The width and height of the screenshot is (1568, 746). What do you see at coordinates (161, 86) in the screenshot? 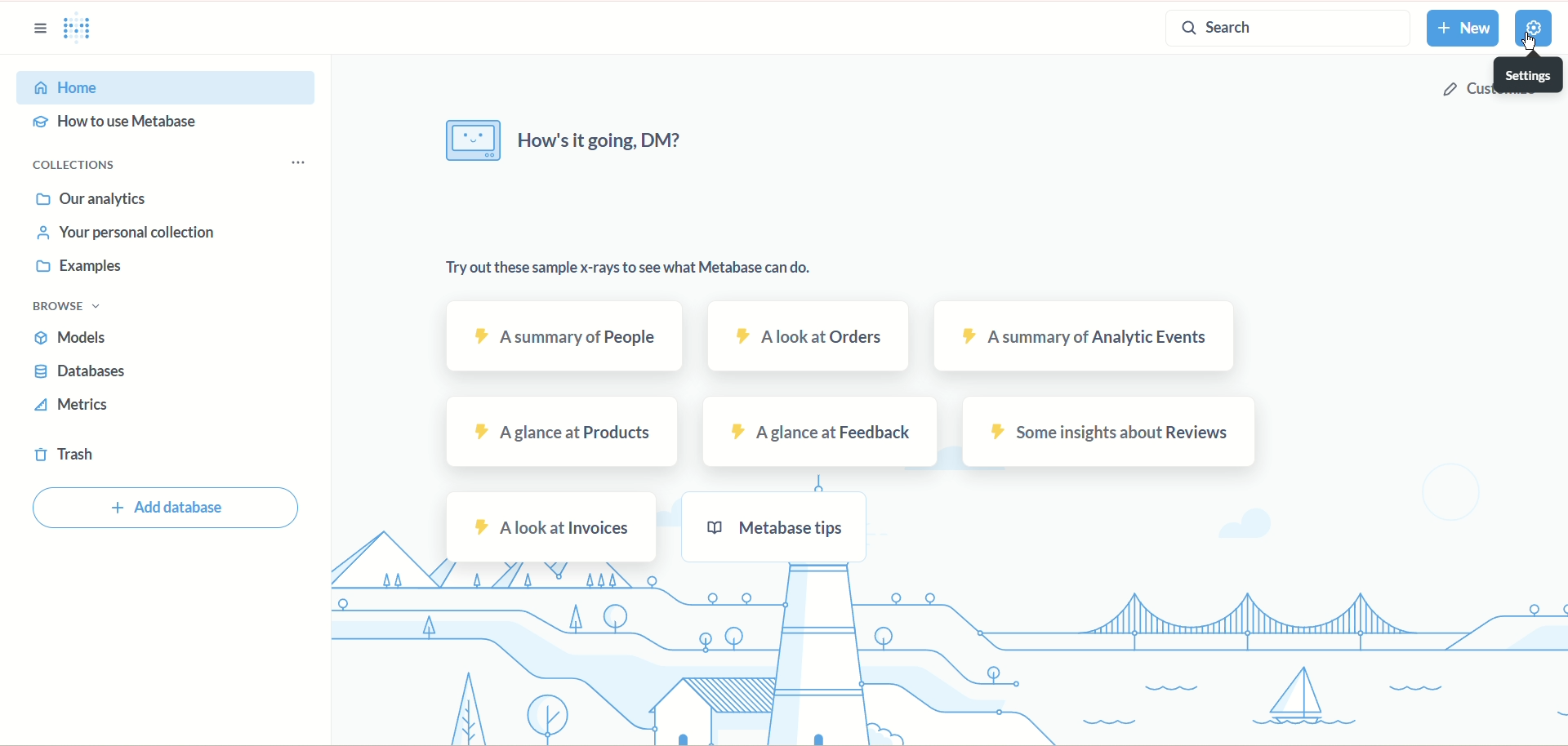
I see `home` at bounding box center [161, 86].